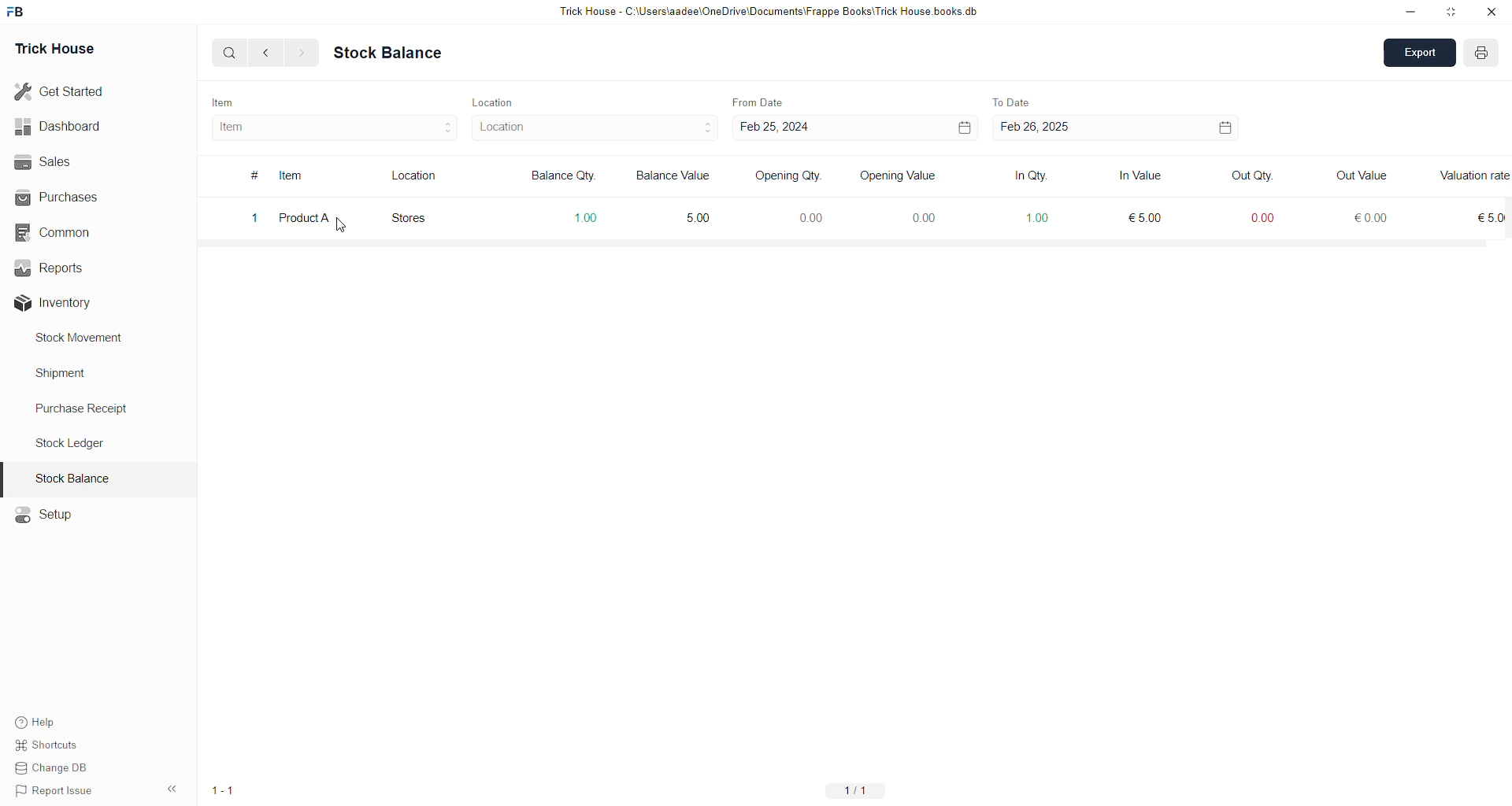  Describe the element at coordinates (74, 338) in the screenshot. I see `Stock Movement` at that location.